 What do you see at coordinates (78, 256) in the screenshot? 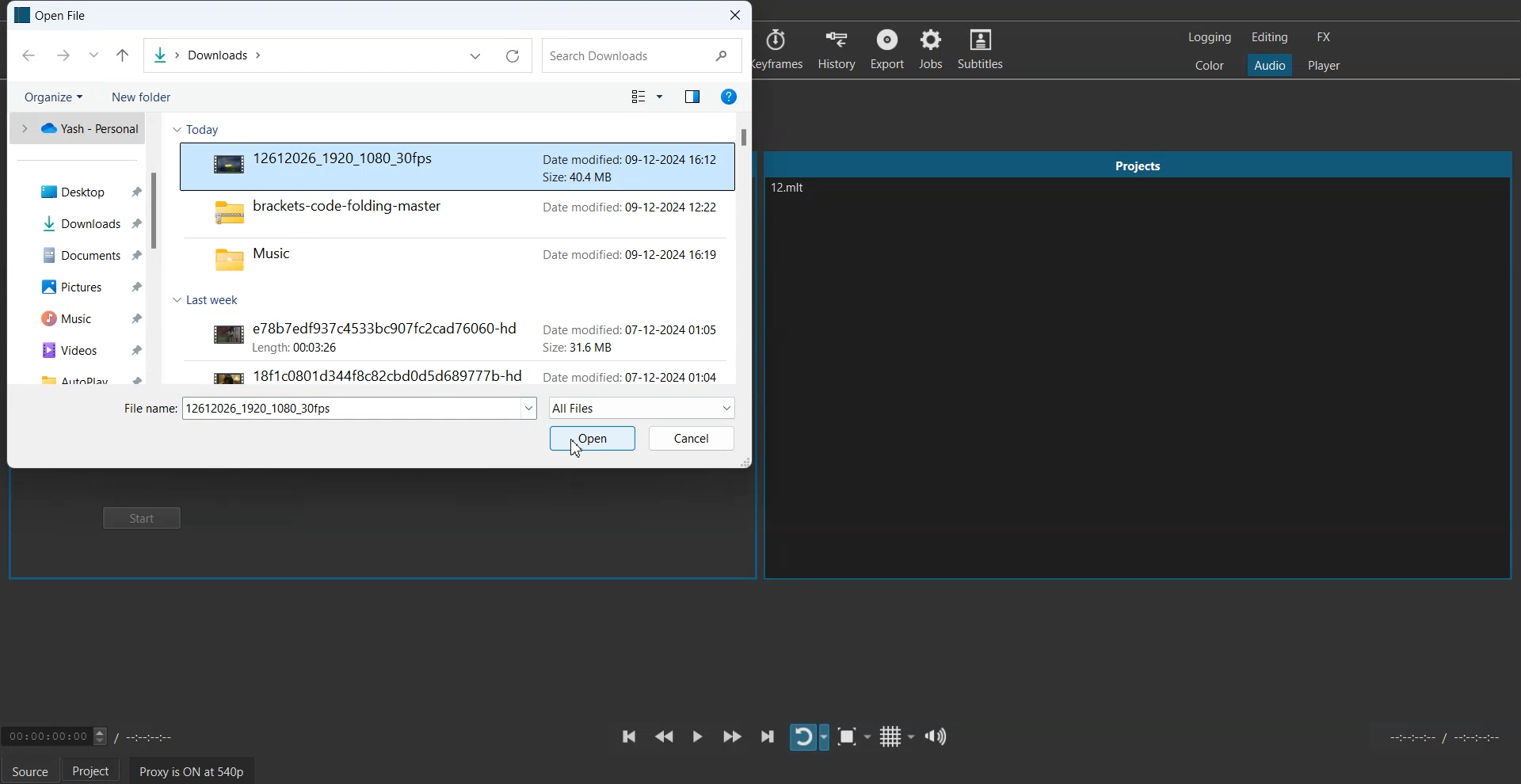
I see `Documents` at bounding box center [78, 256].